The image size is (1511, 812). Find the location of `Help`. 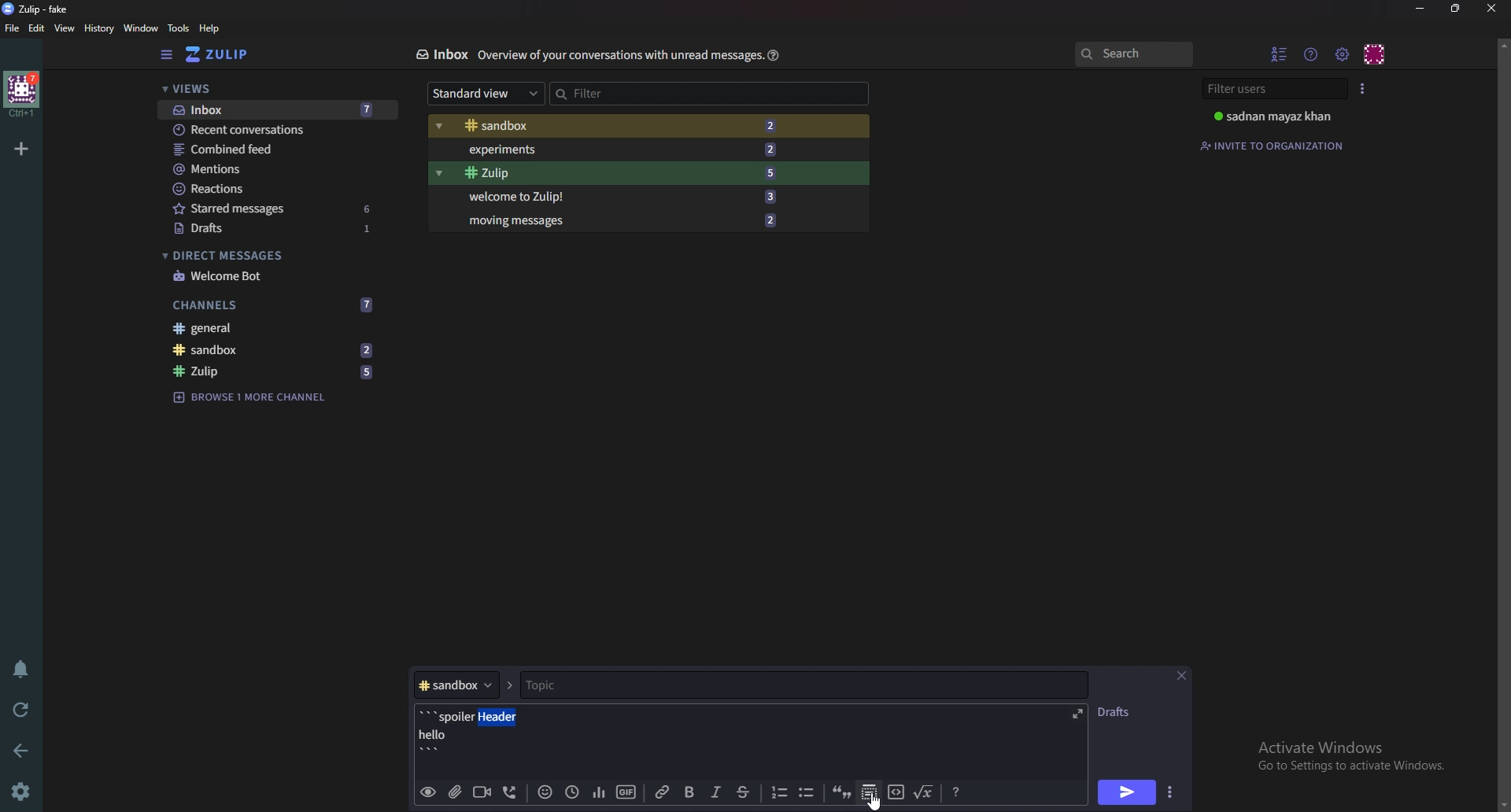

Help is located at coordinates (772, 55).